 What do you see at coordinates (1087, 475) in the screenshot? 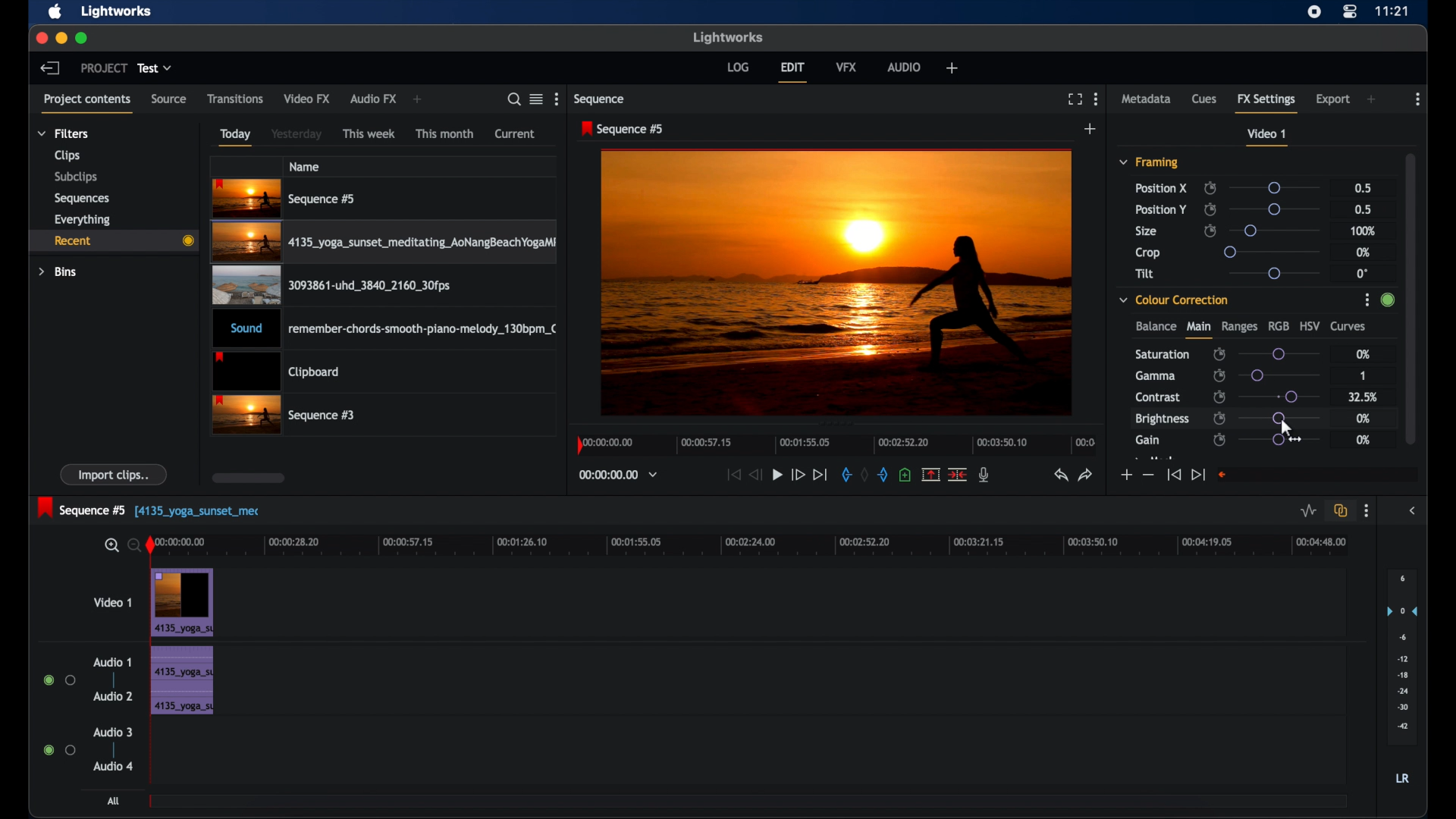
I see `redo` at bounding box center [1087, 475].